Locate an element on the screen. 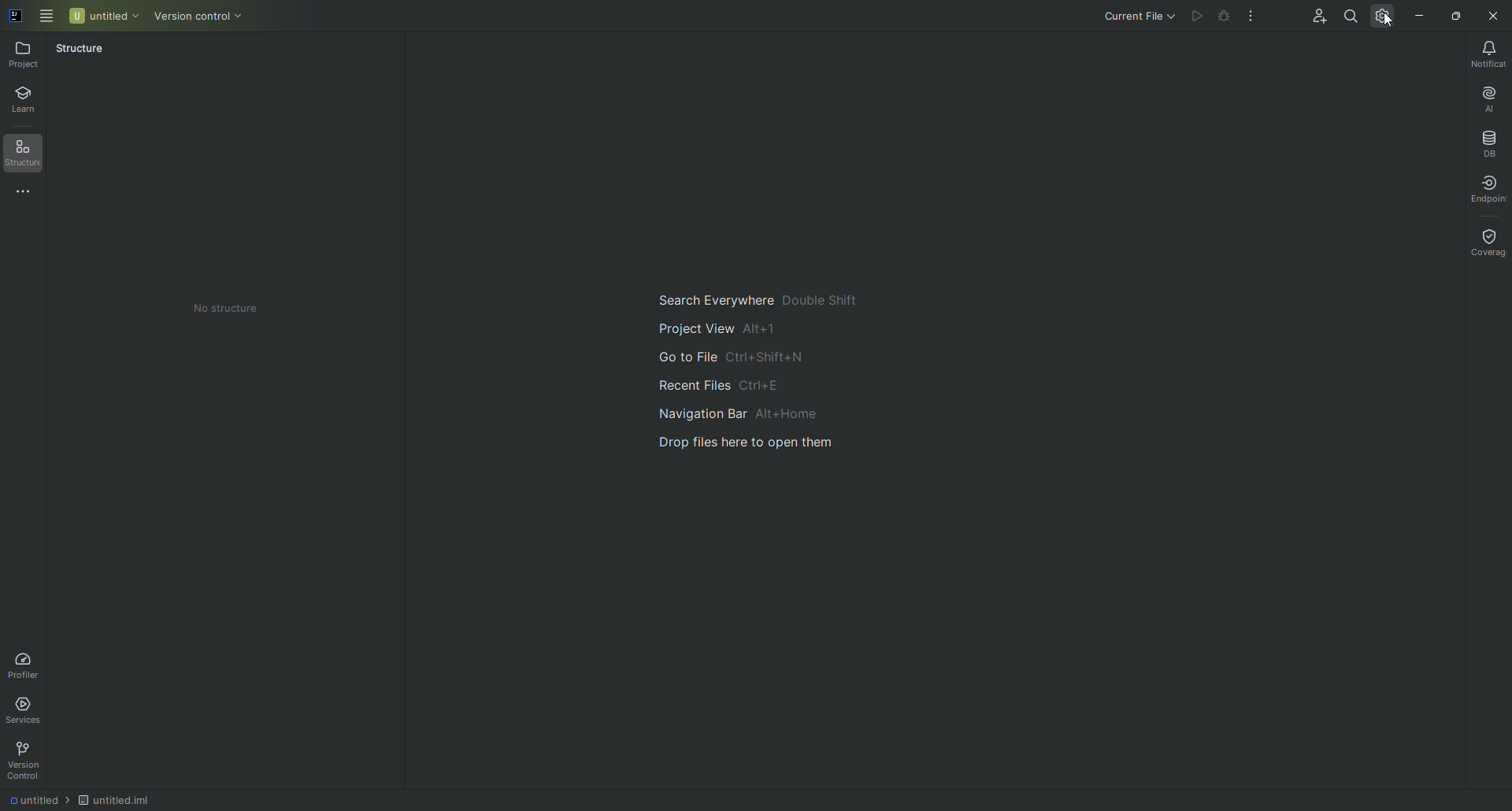  Close is located at coordinates (1492, 17).